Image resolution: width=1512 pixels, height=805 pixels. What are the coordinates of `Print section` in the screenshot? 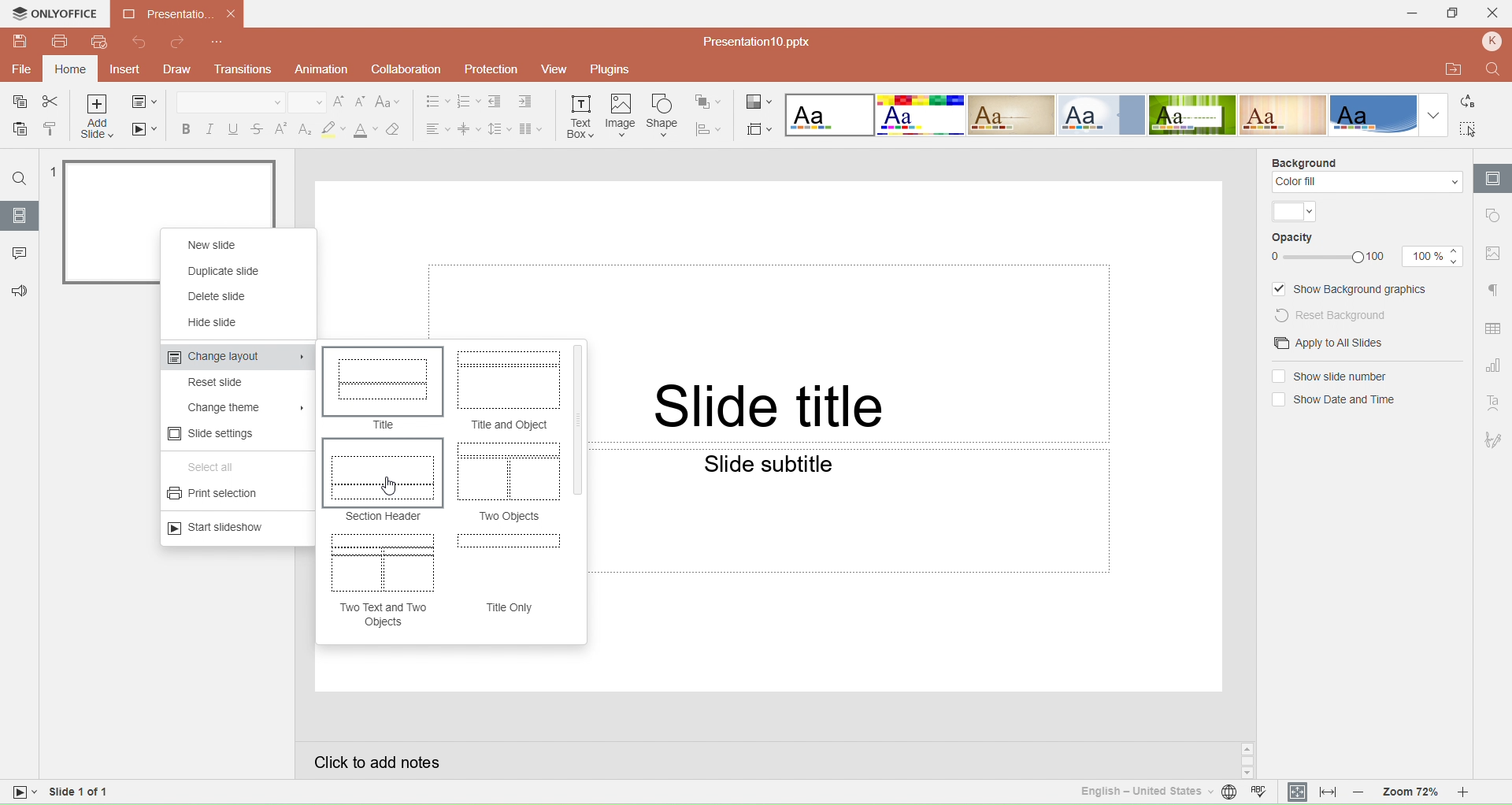 It's located at (218, 496).